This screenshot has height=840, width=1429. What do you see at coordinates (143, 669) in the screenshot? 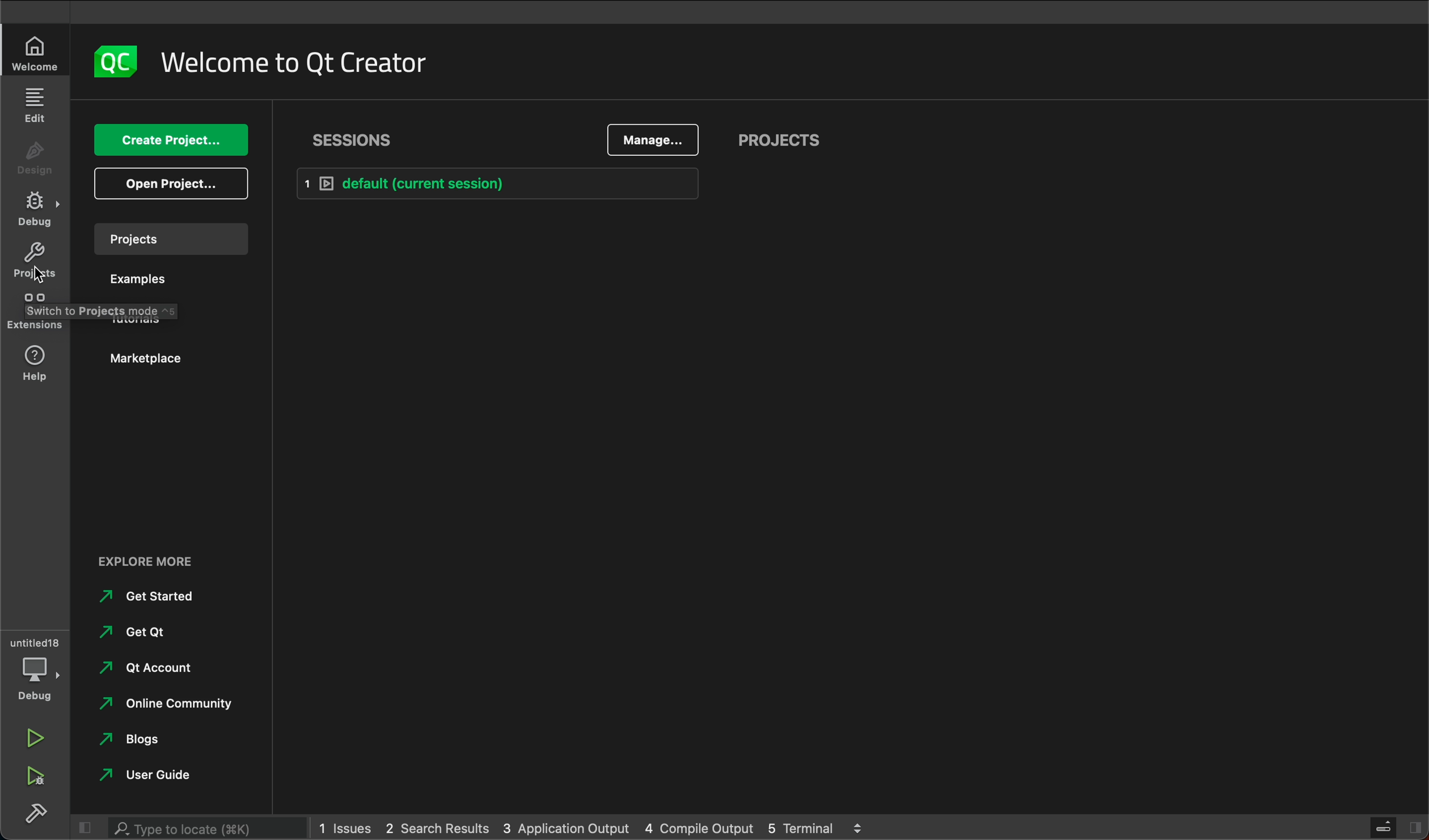
I see `qt account` at bounding box center [143, 669].